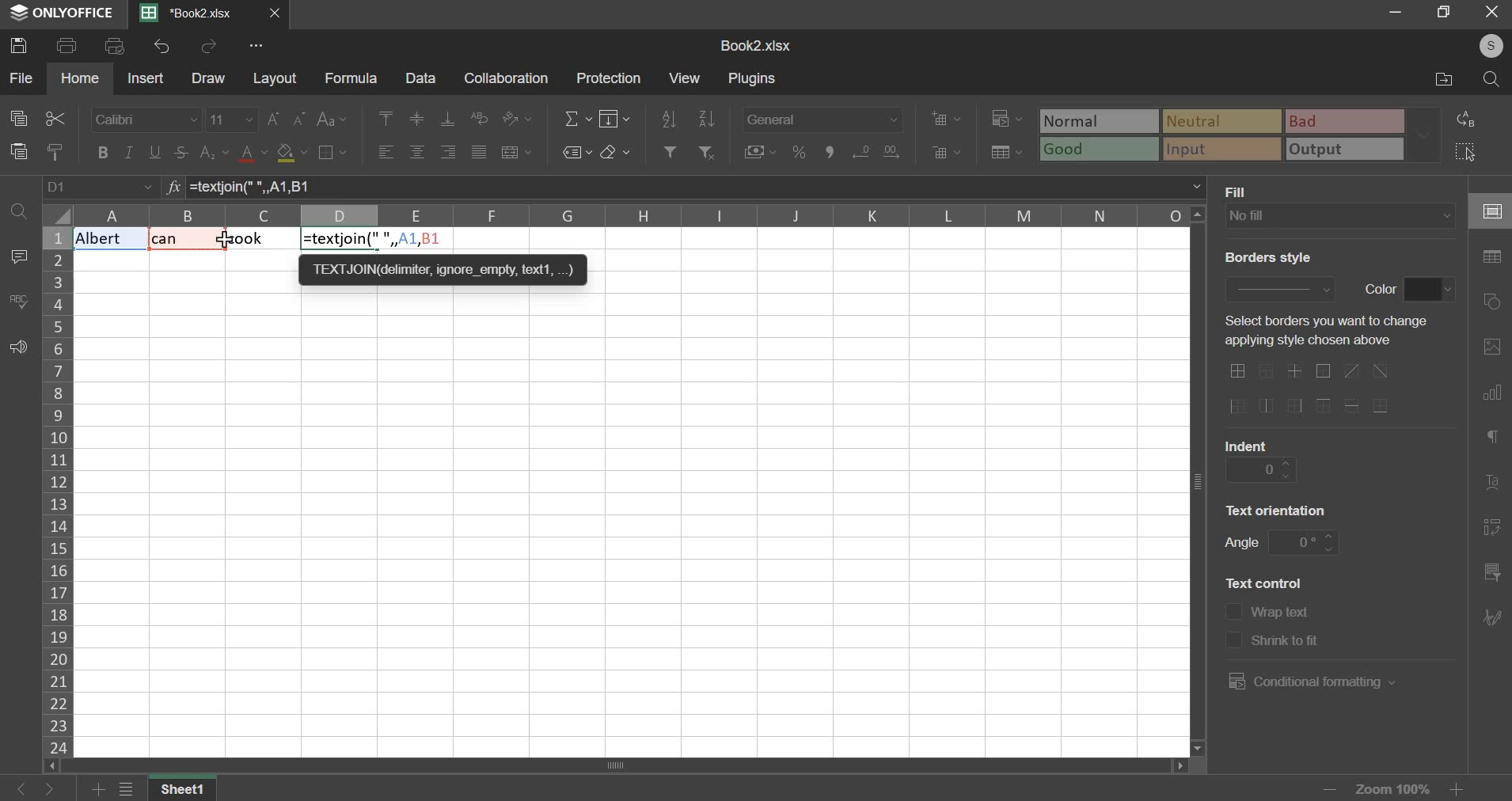 This screenshot has height=801, width=1512. Describe the element at coordinates (386, 119) in the screenshot. I see `align top` at that location.